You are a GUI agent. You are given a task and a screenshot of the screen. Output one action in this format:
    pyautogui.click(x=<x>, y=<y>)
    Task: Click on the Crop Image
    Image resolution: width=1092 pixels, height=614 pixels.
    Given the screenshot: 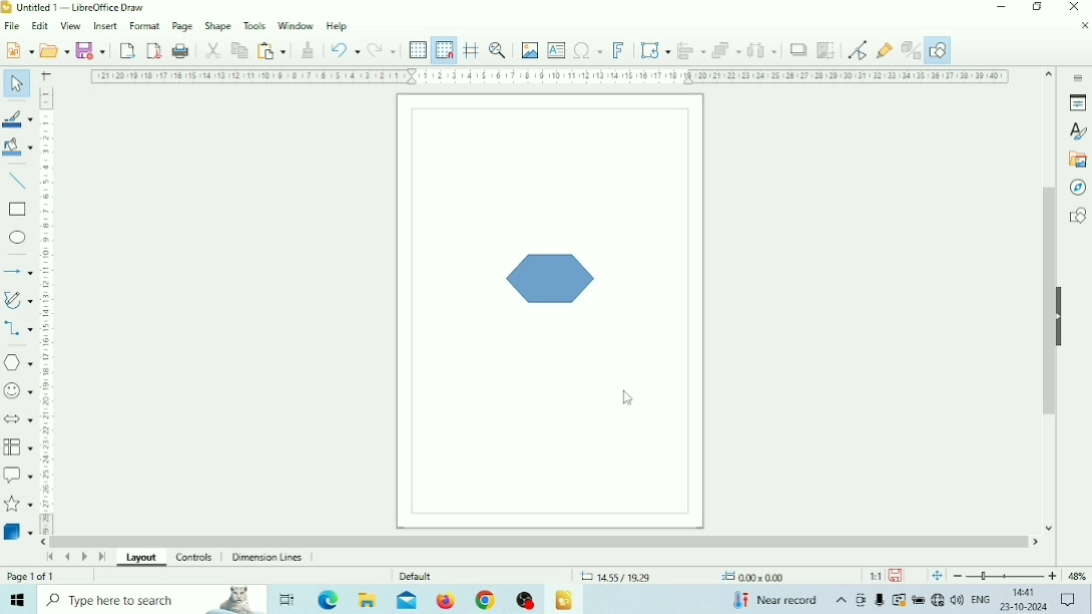 What is the action you would take?
    pyautogui.click(x=825, y=50)
    